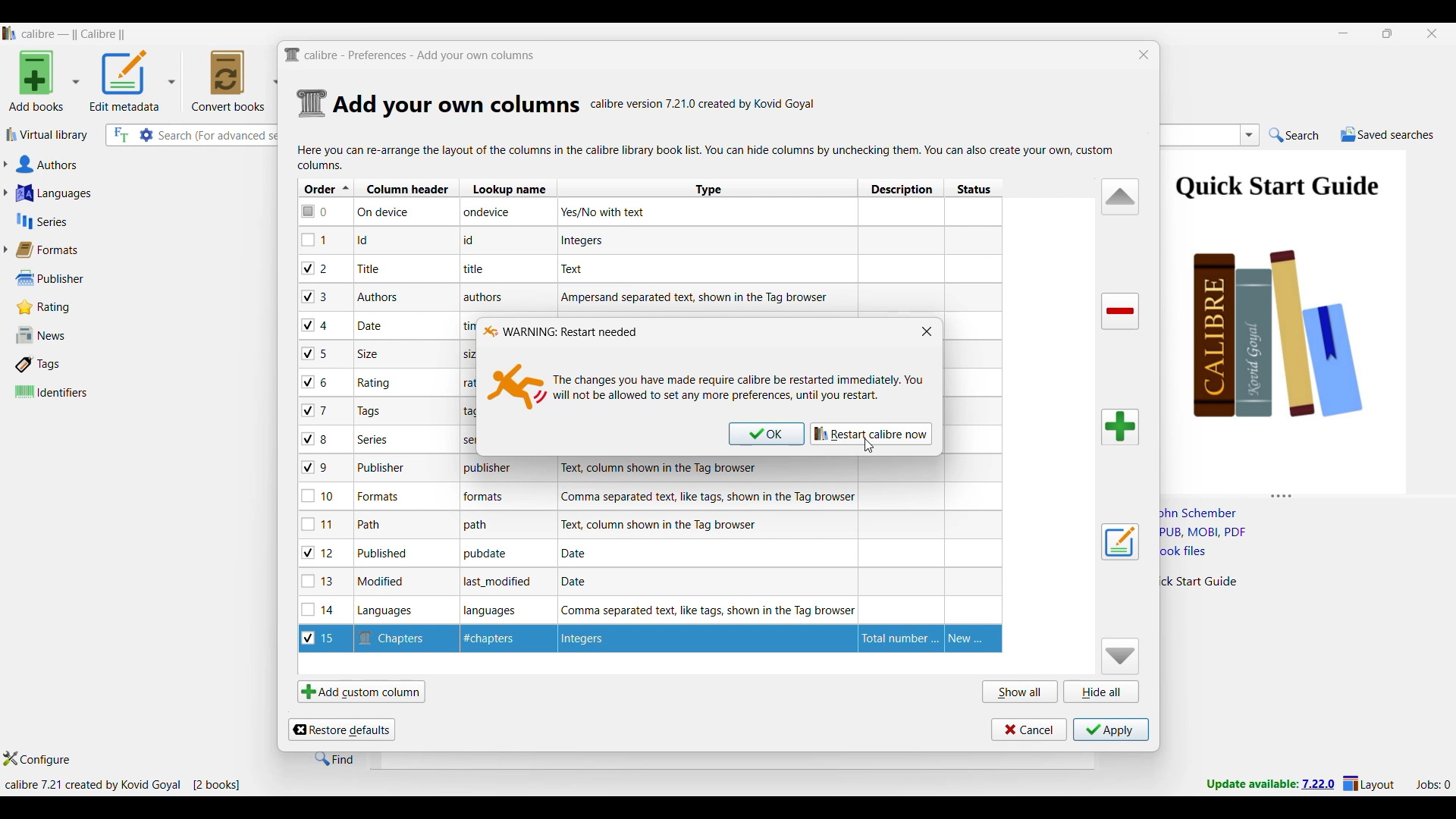 This screenshot has width=1456, height=819. What do you see at coordinates (1389, 33) in the screenshot?
I see `Show interface in a smaller tab` at bounding box center [1389, 33].